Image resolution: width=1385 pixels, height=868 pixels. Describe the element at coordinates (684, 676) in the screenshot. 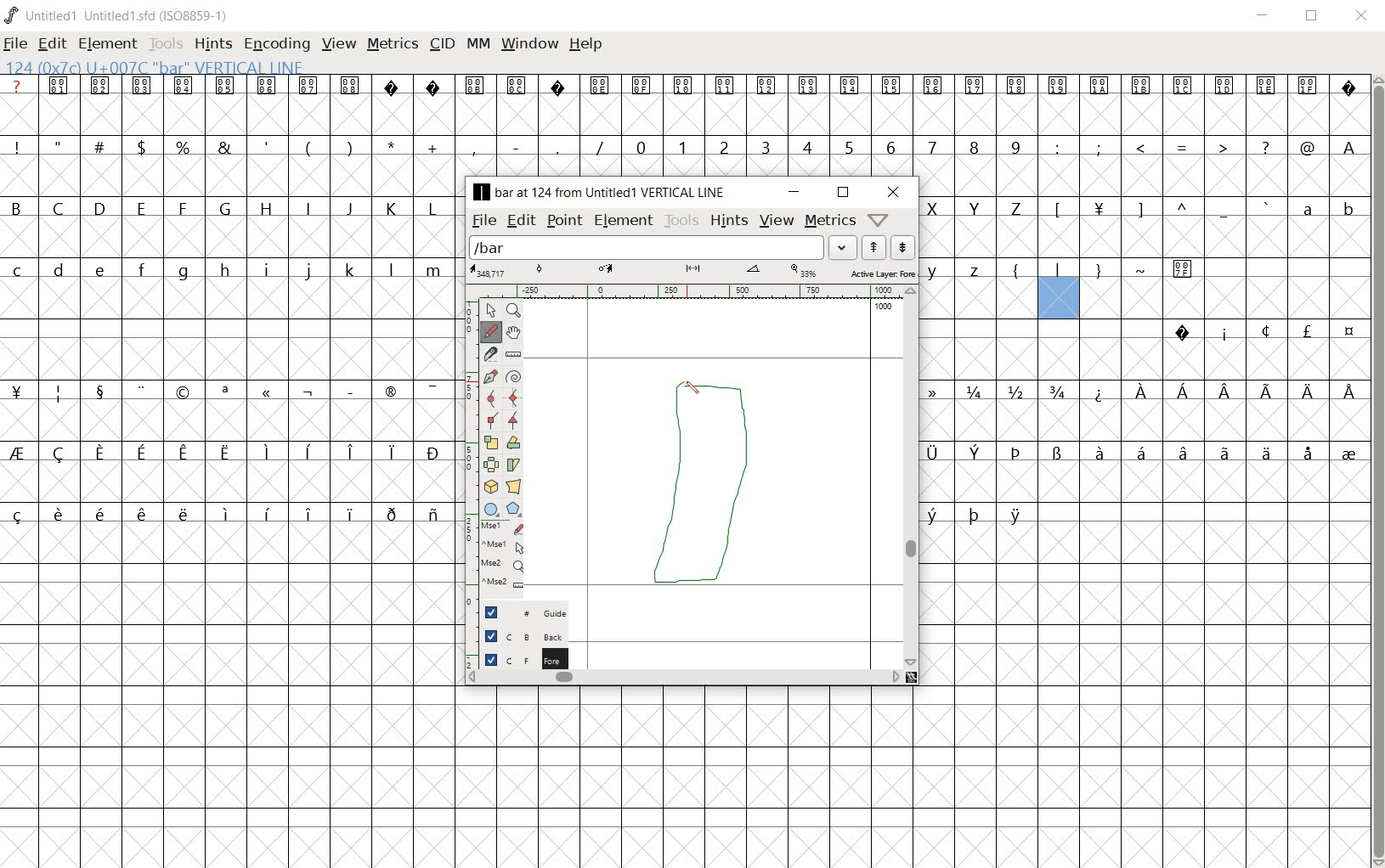

I see `scrollbar` at that location.